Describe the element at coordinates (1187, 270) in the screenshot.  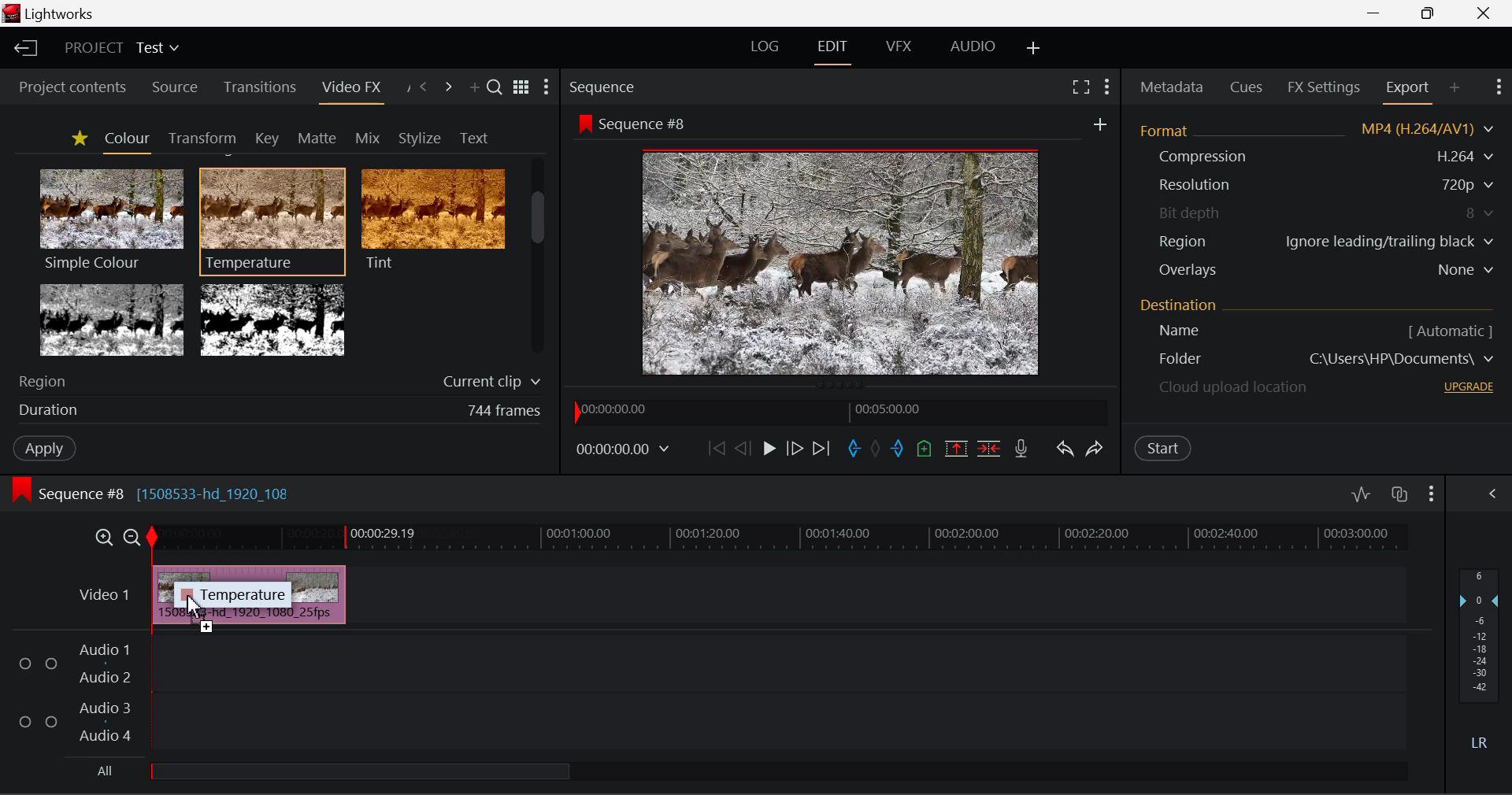
I see `Overlays` at that location.